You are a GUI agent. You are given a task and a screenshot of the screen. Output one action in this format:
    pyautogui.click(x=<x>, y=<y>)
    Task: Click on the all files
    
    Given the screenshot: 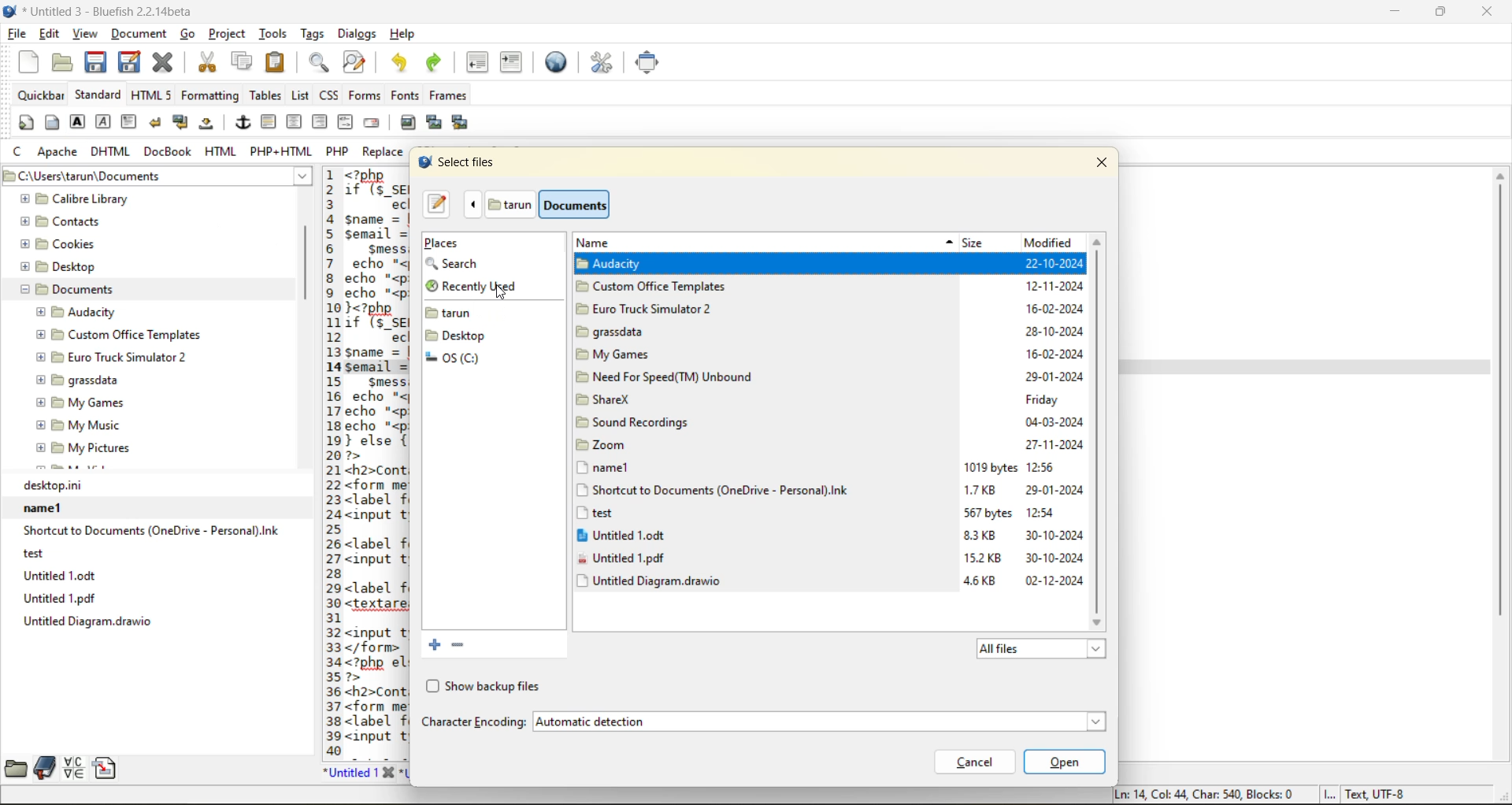 What is the action you would take?
    pyautogui.click(x=1037, y=651)
    